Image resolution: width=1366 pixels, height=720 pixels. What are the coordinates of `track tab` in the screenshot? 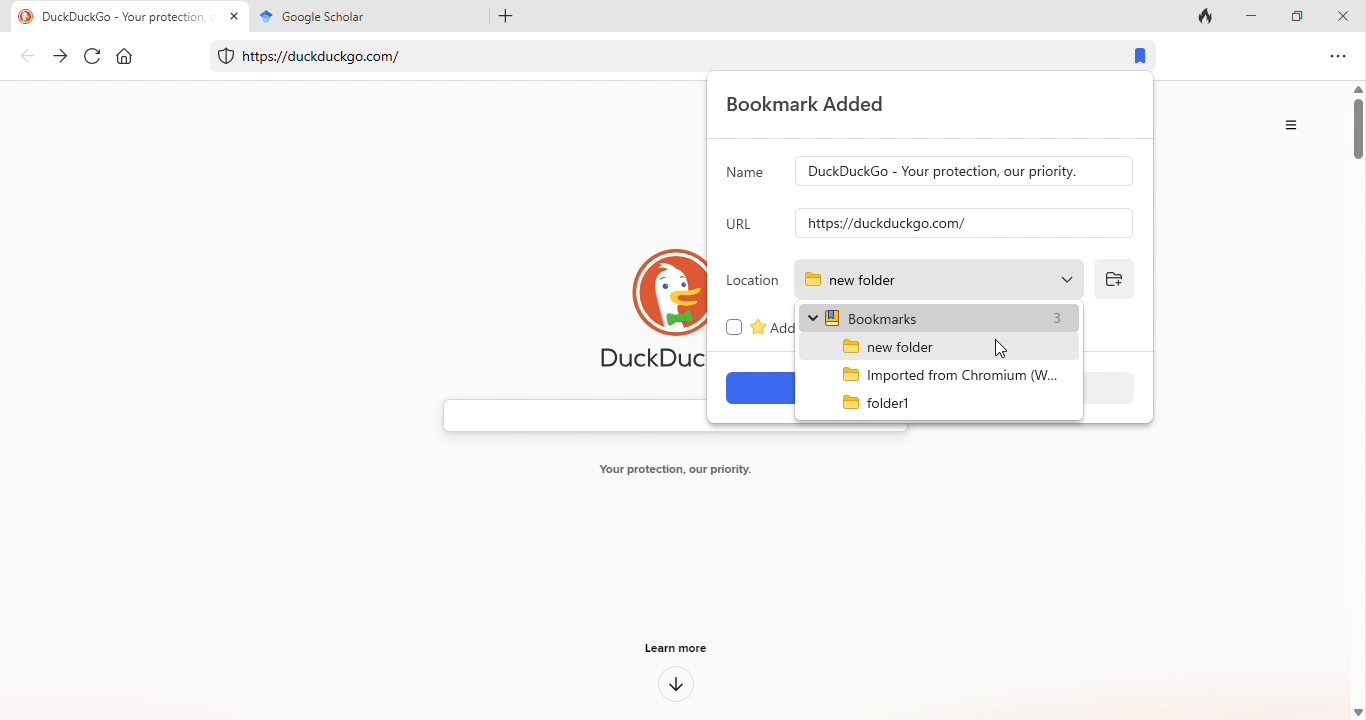 It's located at (1210, 15).